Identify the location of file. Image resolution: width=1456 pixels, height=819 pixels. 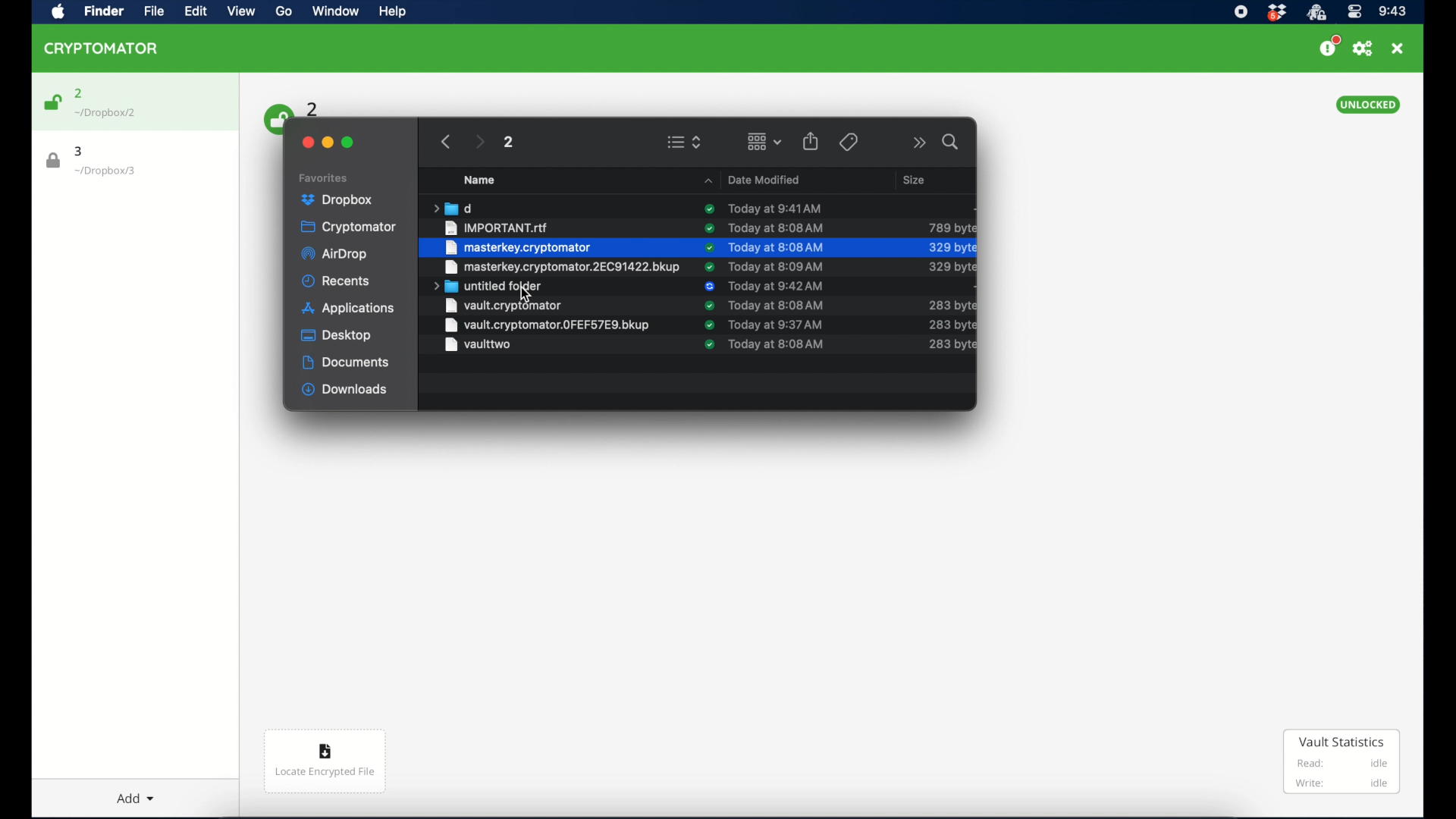
(150, 11).